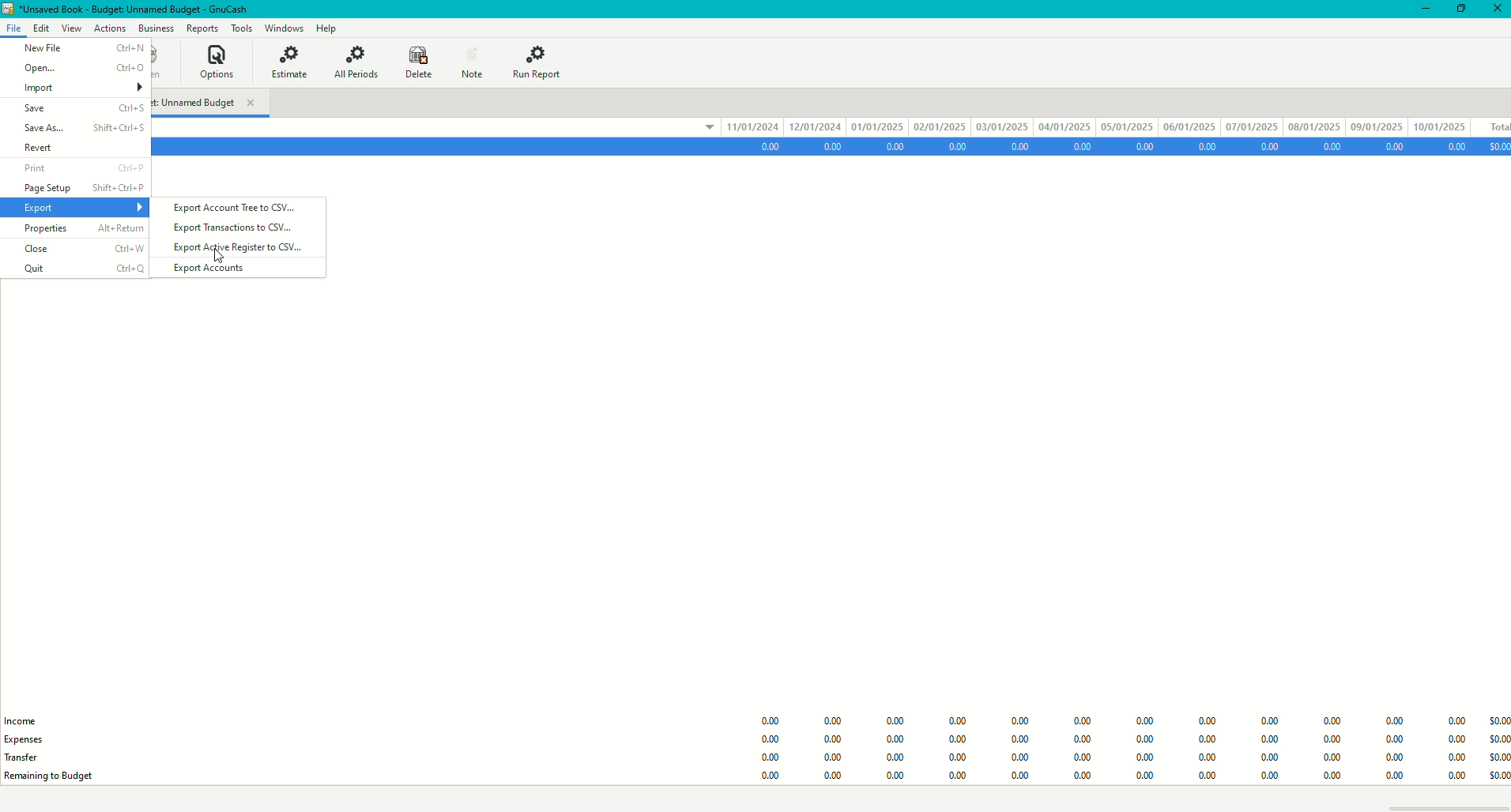 This screenshot has height=812, width=1511. I want to click on Close, so click(1497, 10).